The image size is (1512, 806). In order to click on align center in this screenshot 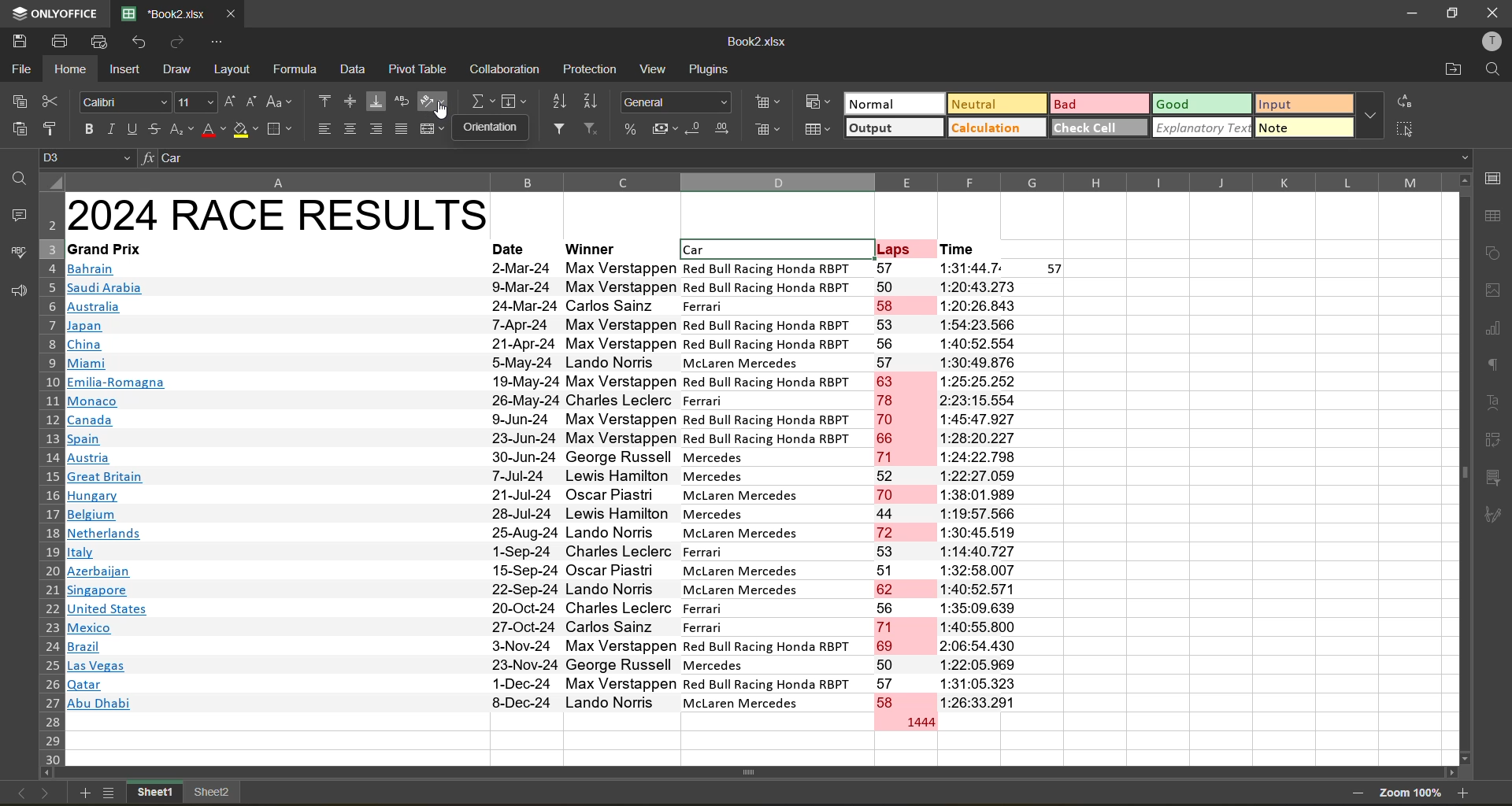, I will do `click(350, 128)`.